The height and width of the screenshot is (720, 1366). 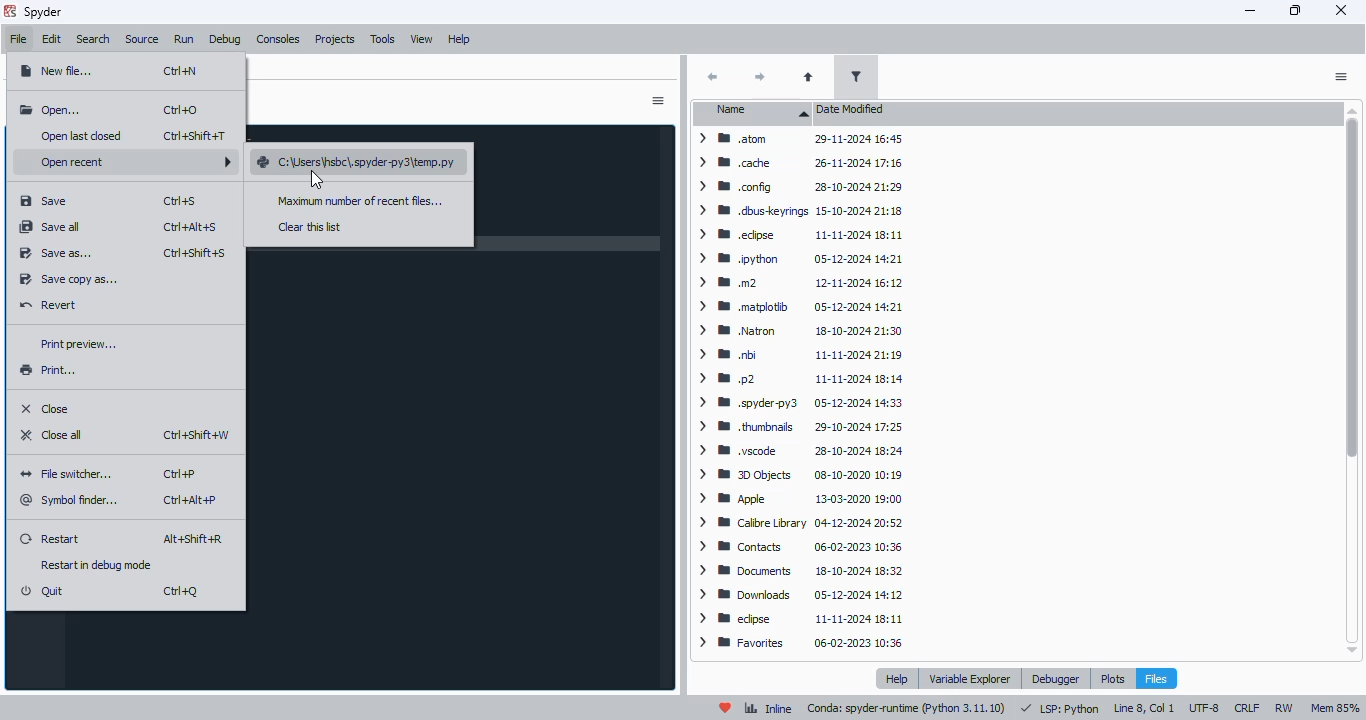 I want to click on UTF-8, so click(x=1205, y=709).